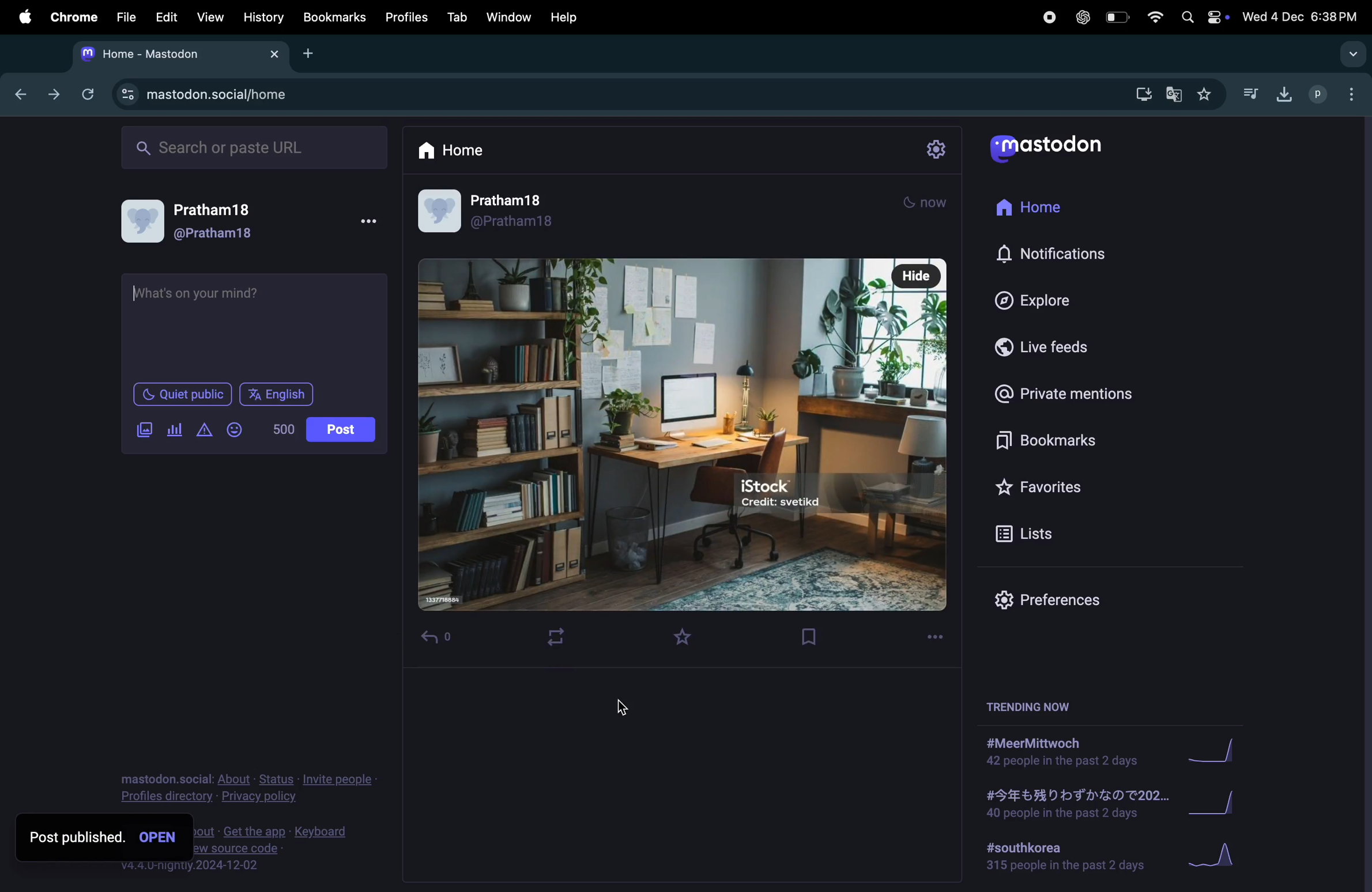 This screenshot has height=892, width=1372. What do you see at coordinates (817, 640) in the screenshot?
I see `save` at bounding box center [817, 640].